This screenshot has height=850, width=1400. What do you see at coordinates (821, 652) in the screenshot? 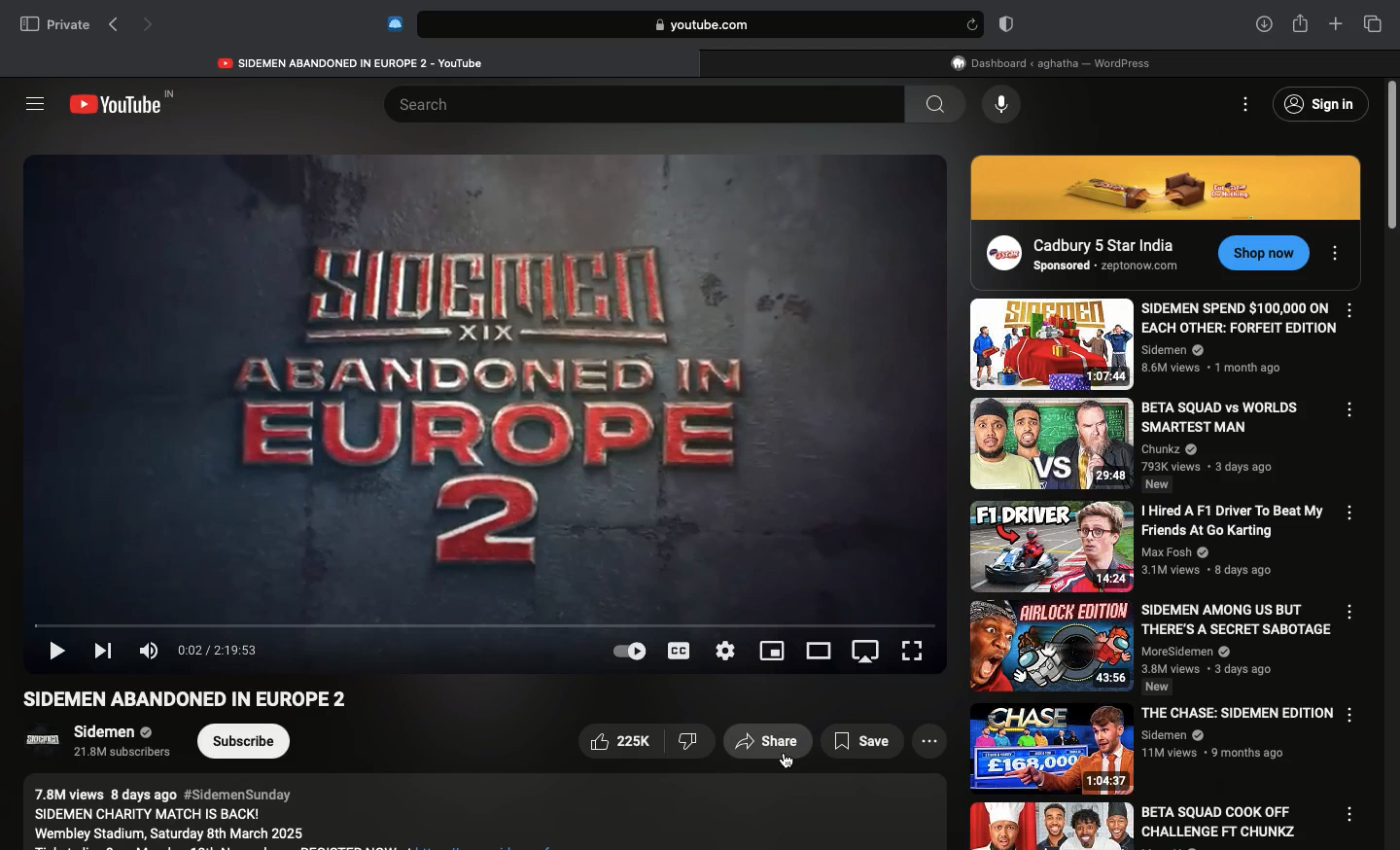
I see `Theatre` at bounding box center [821, 652].